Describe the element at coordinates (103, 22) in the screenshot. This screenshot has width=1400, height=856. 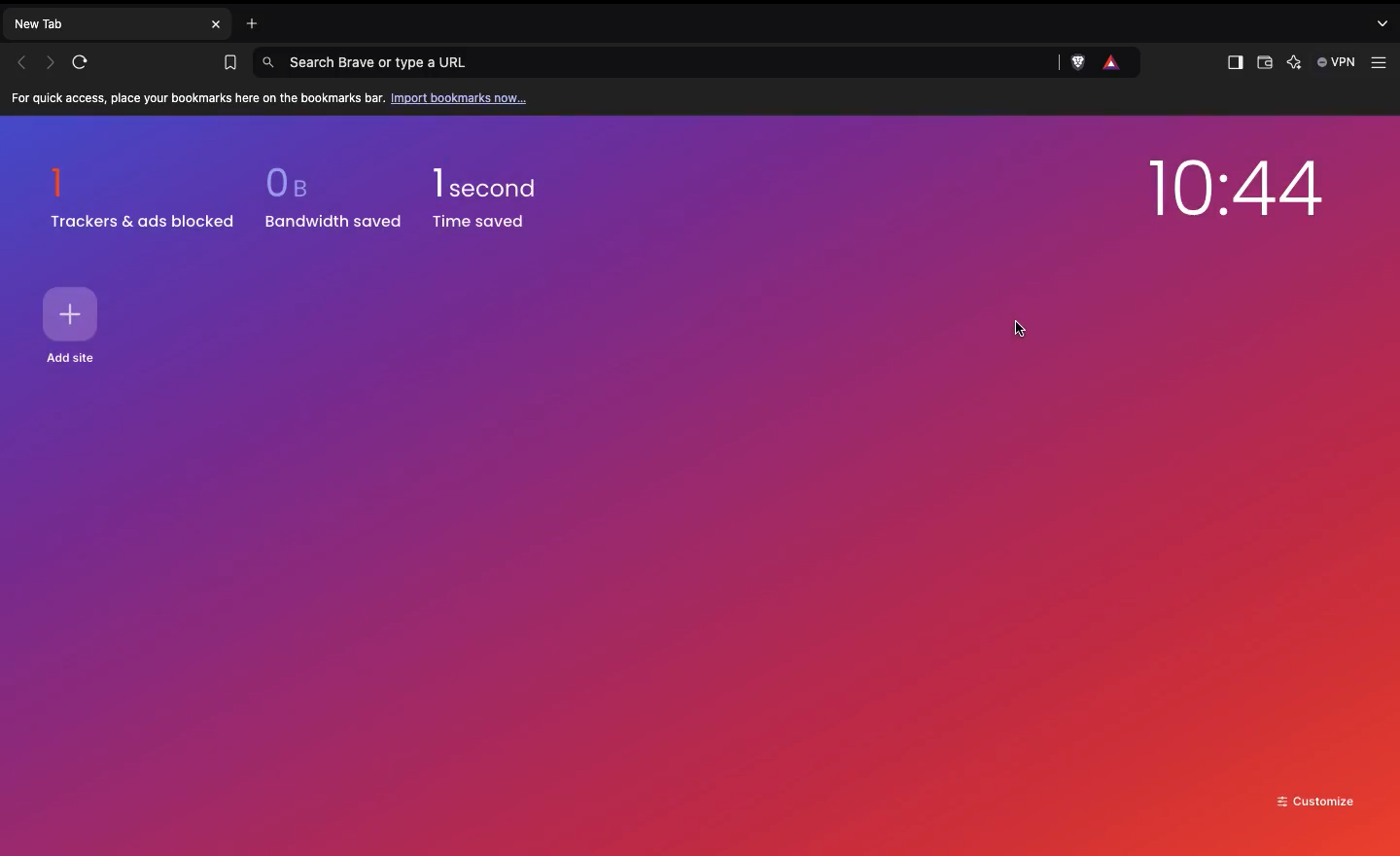
I see `New tab` at that location.